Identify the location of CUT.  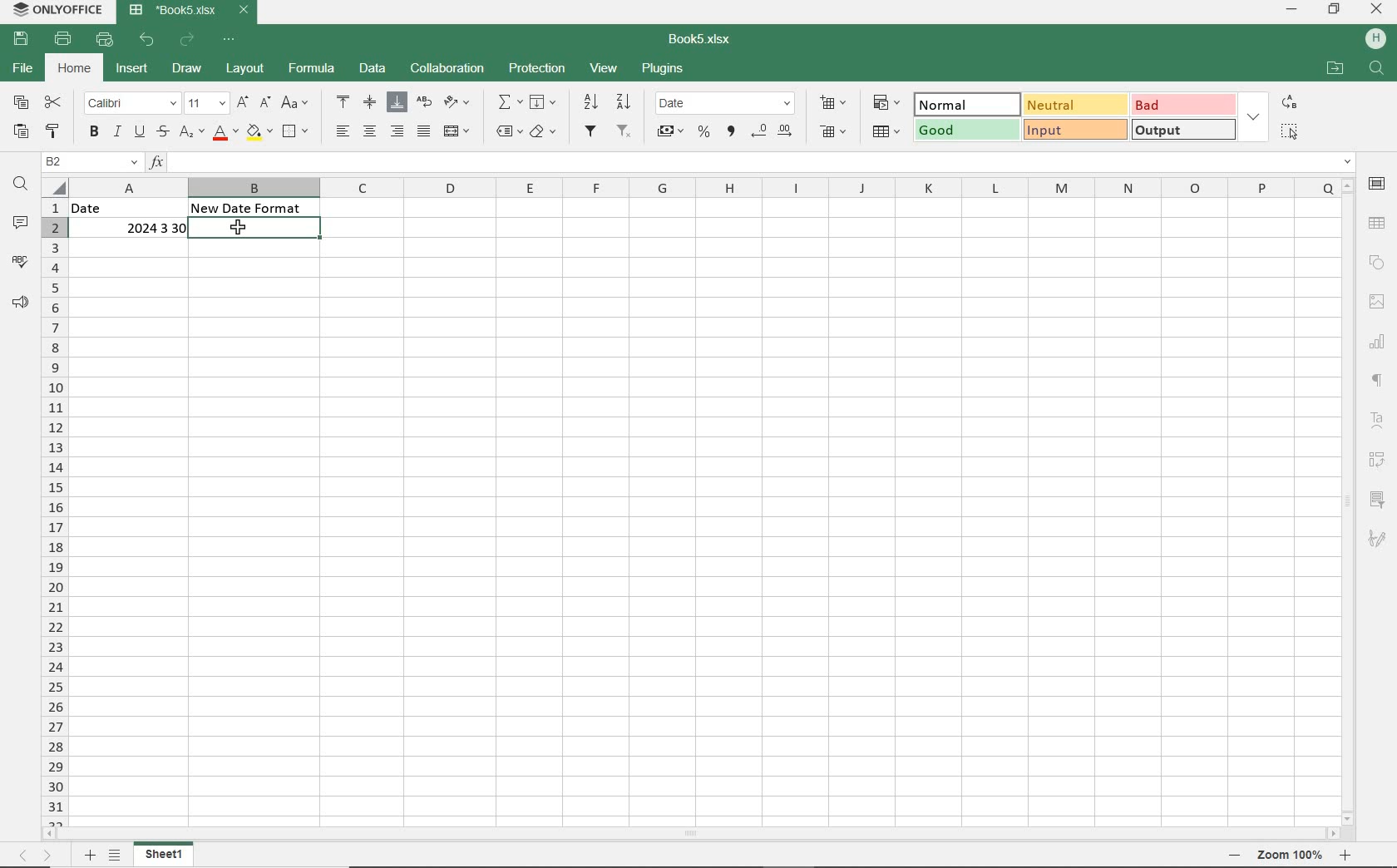
(53, 104).